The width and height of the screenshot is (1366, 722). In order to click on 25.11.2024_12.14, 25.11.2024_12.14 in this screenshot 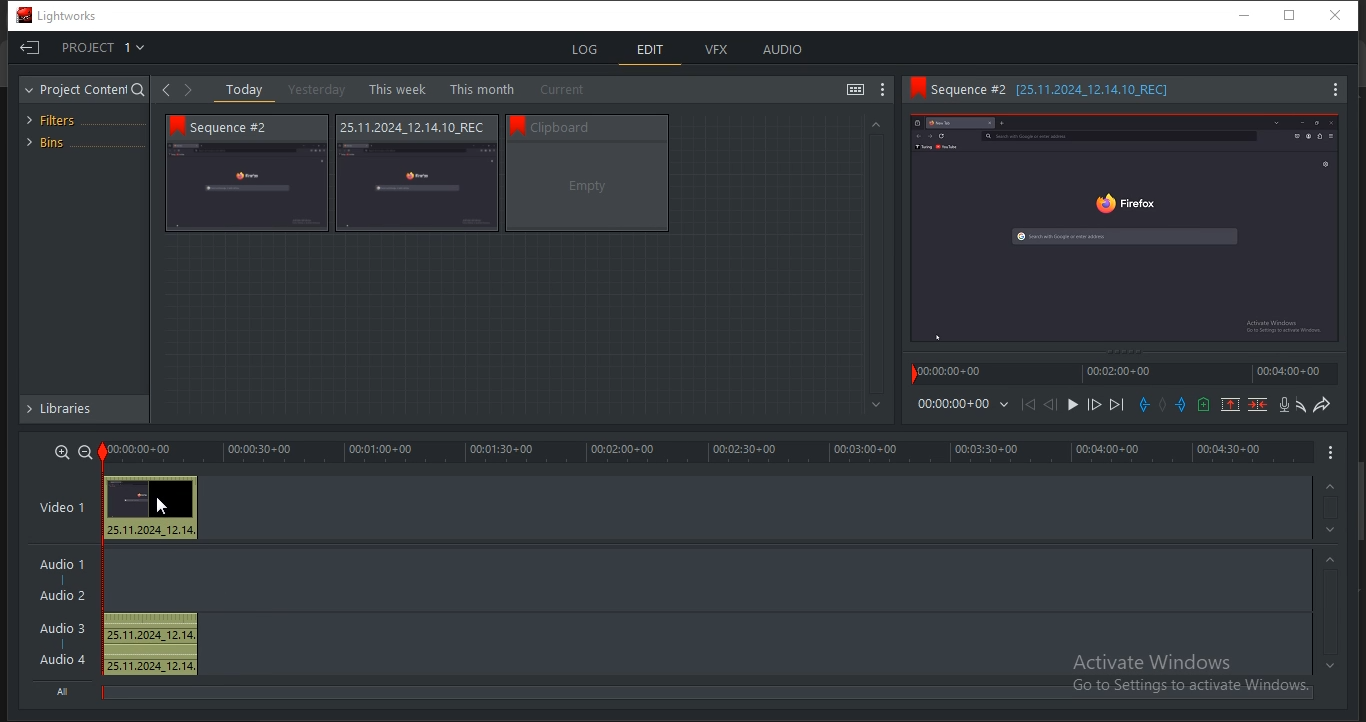, I will do `click(154, 645)`.